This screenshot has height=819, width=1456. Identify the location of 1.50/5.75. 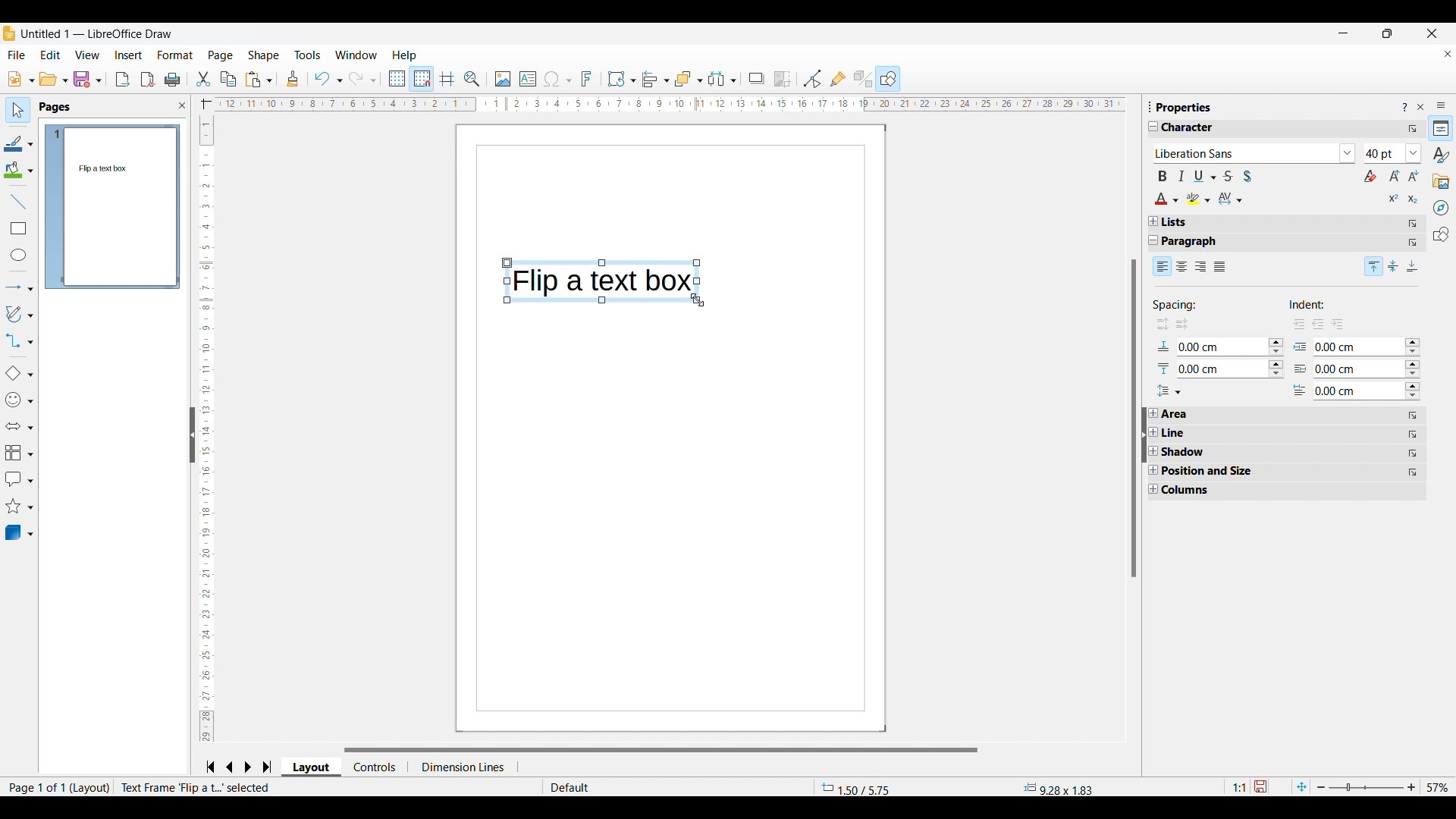
(857, 788).